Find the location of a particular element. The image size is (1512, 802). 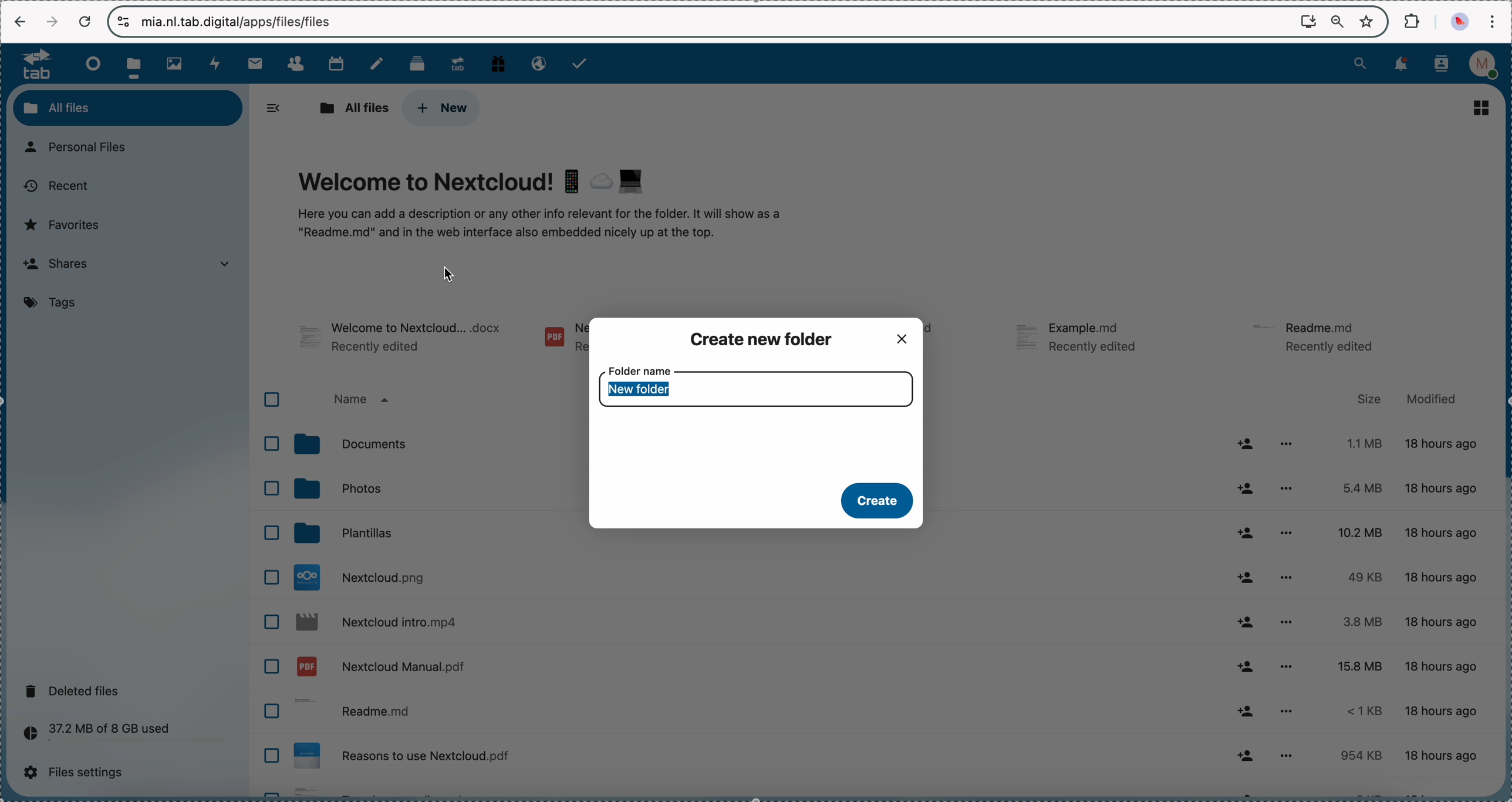

more options is located at coordinates (1285, 533).